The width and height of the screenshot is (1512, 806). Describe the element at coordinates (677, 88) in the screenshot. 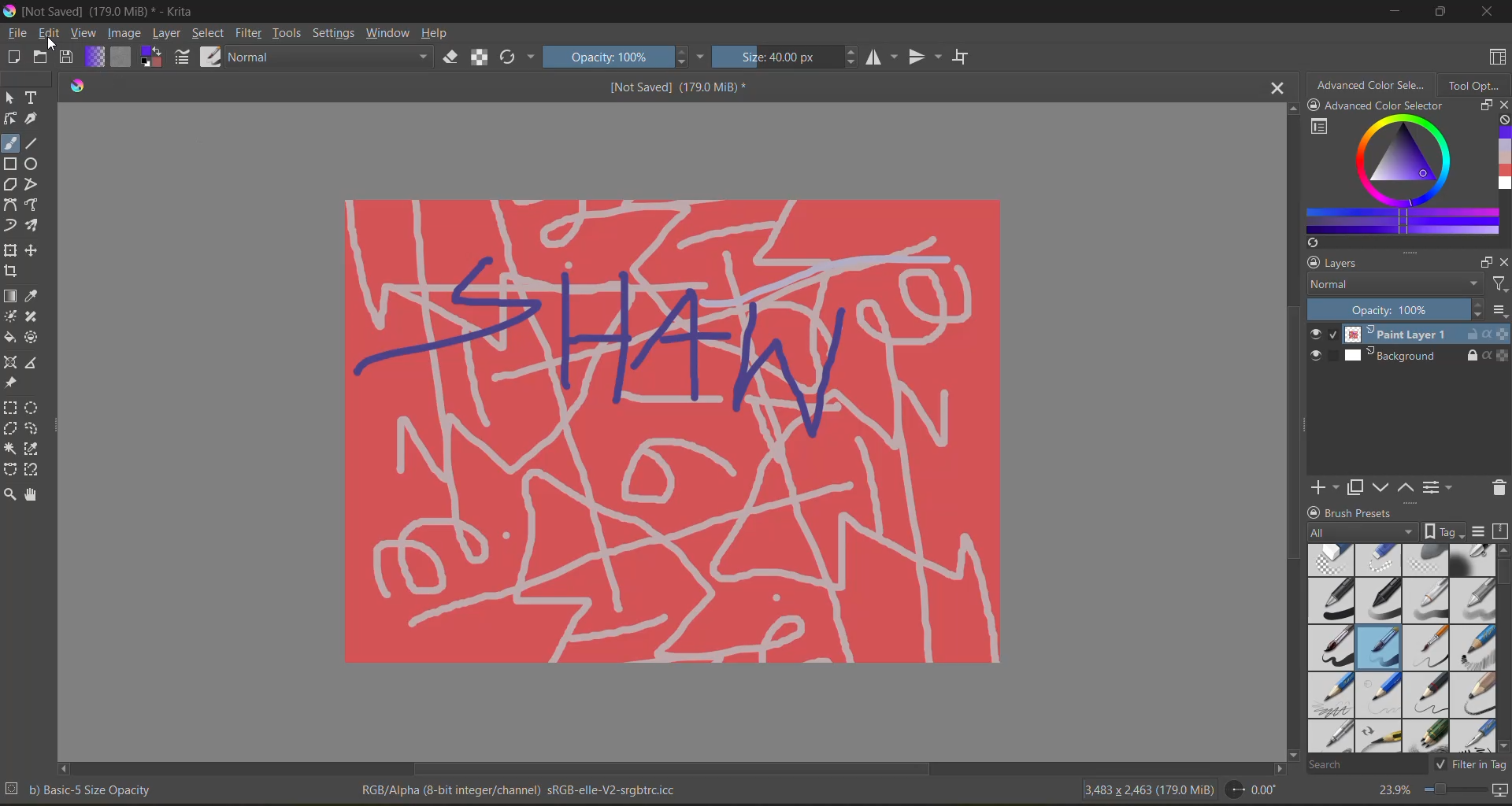

I see `[Not Saved] (179.0 MiB) *` at that location.